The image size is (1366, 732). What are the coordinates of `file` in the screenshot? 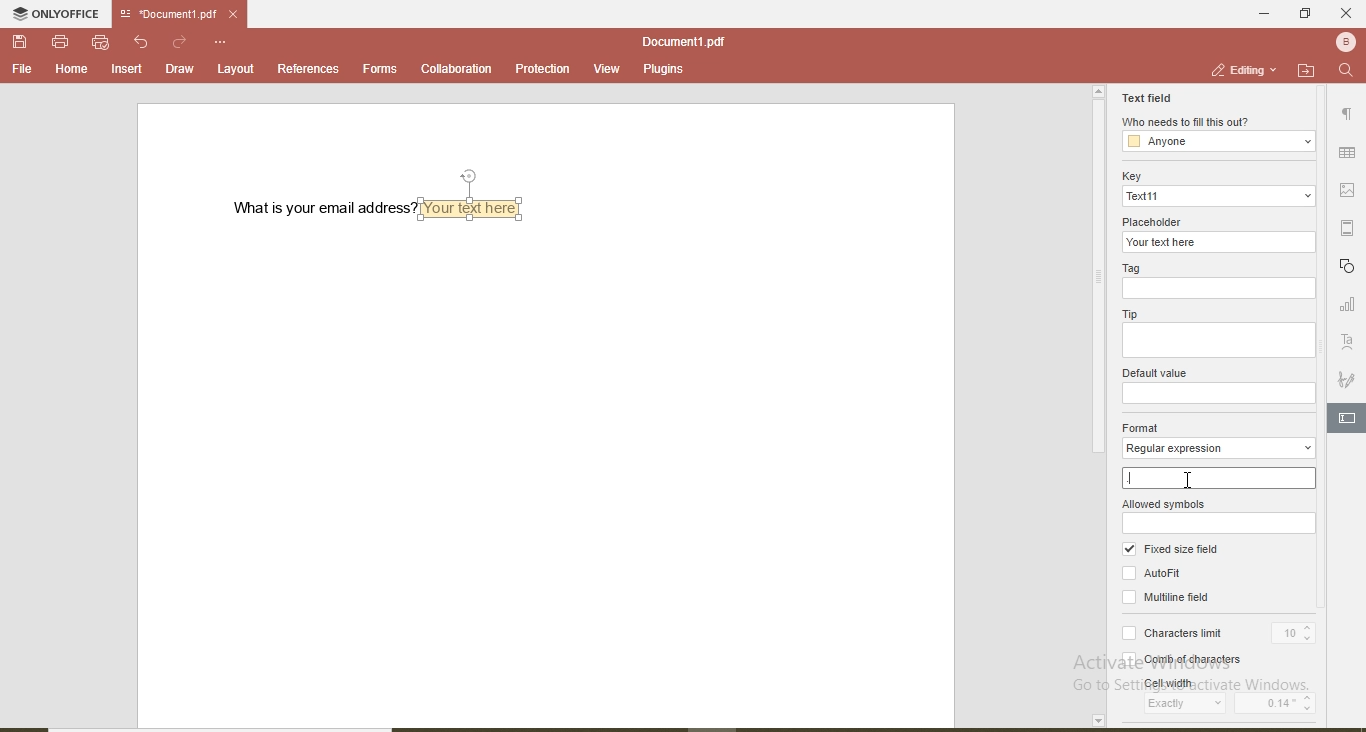 It's located at (22, 69).